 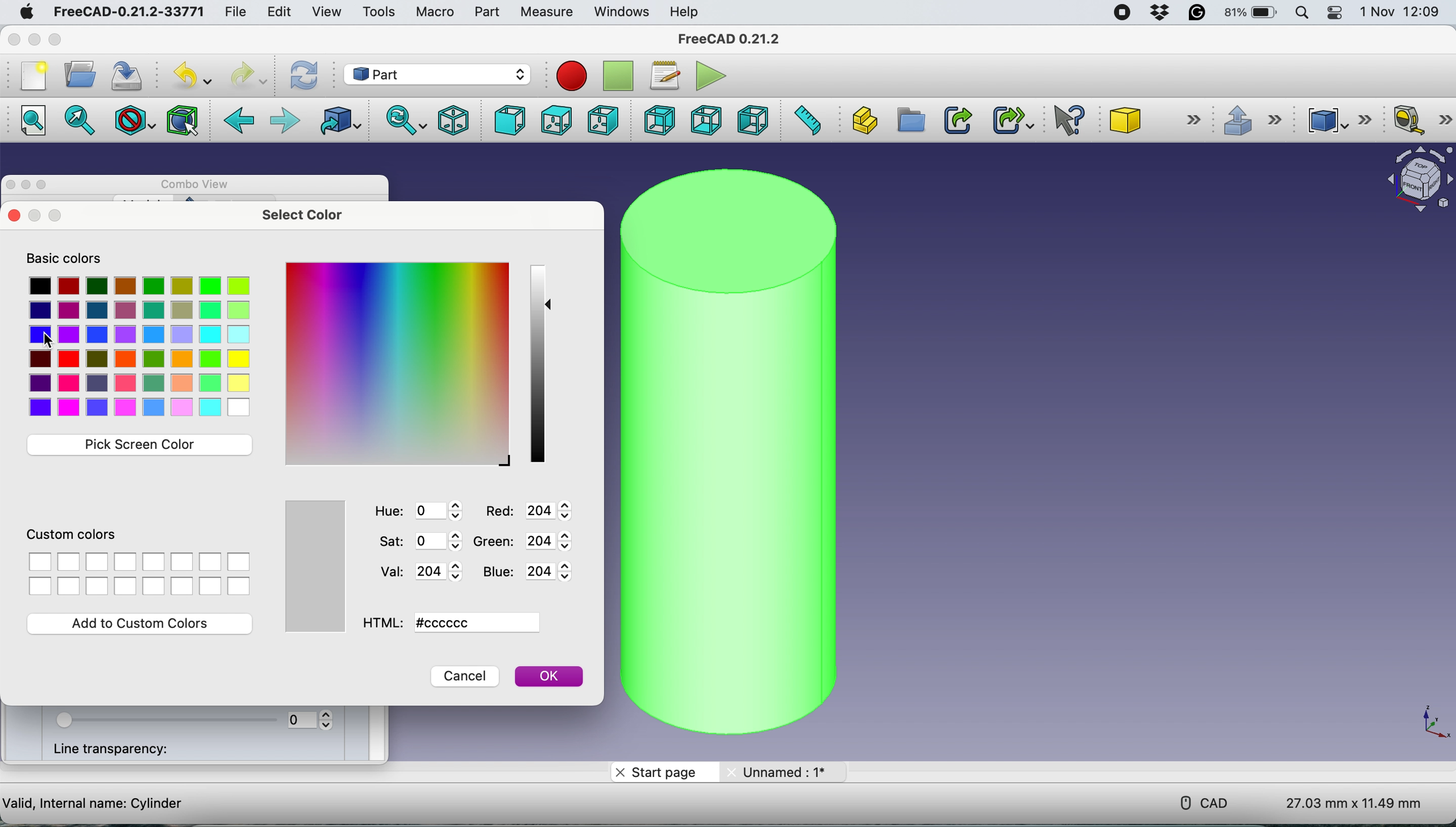 What do you see at coordinates (1009, 119) in the screenshot?
I see `make sub link` at bounding box center [1009, 119].